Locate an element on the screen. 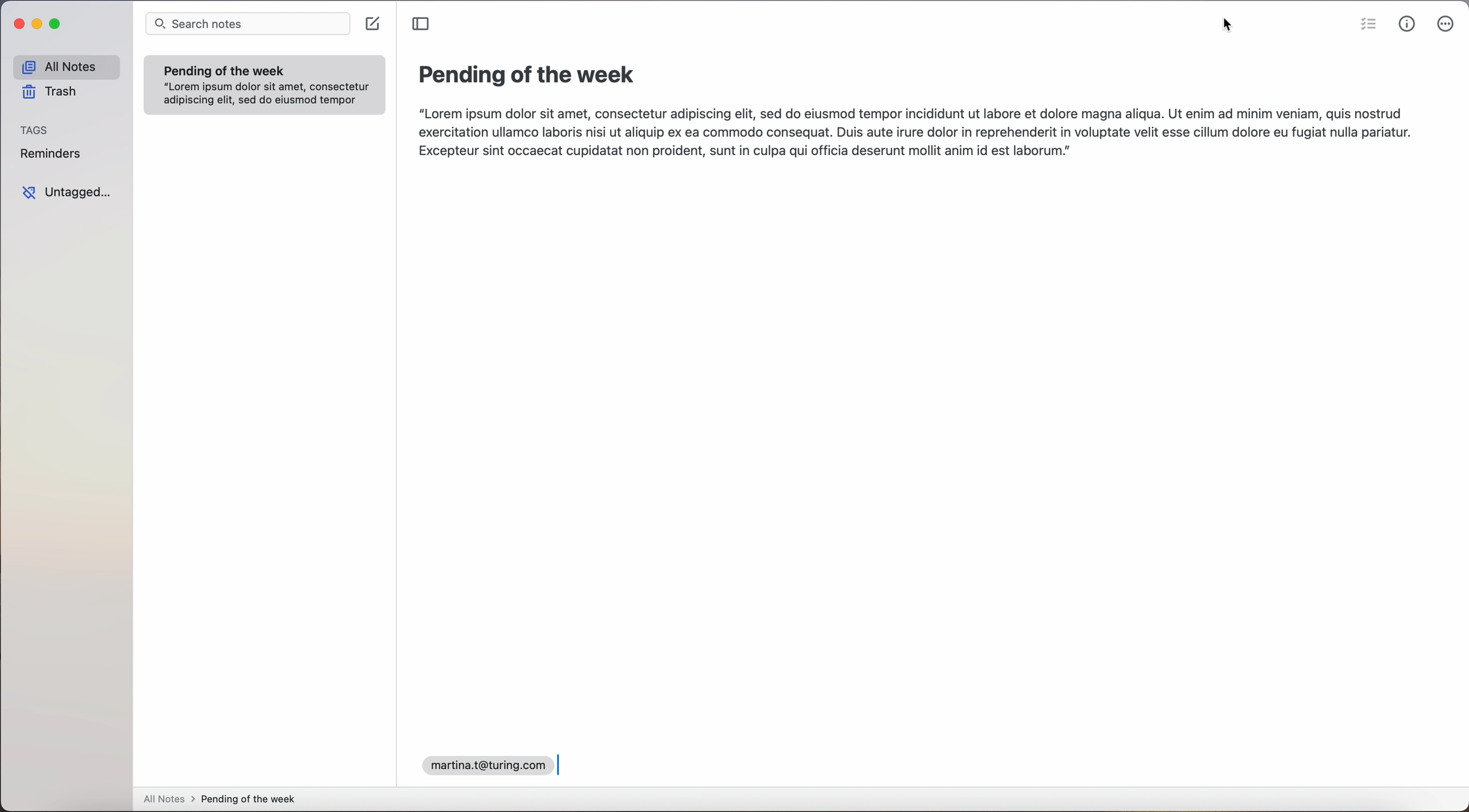  reminders is located at coordinates (53, 155).